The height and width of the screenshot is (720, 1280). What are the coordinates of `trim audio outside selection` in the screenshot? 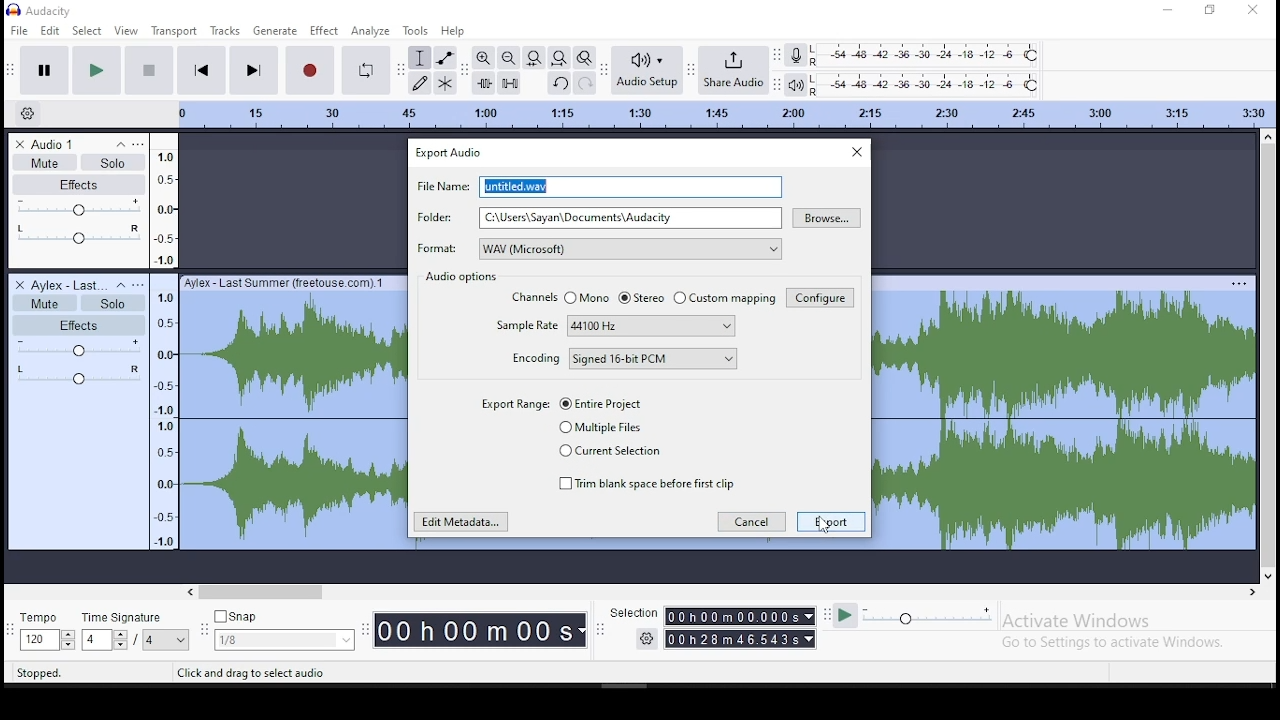 It's located at (482, 83).